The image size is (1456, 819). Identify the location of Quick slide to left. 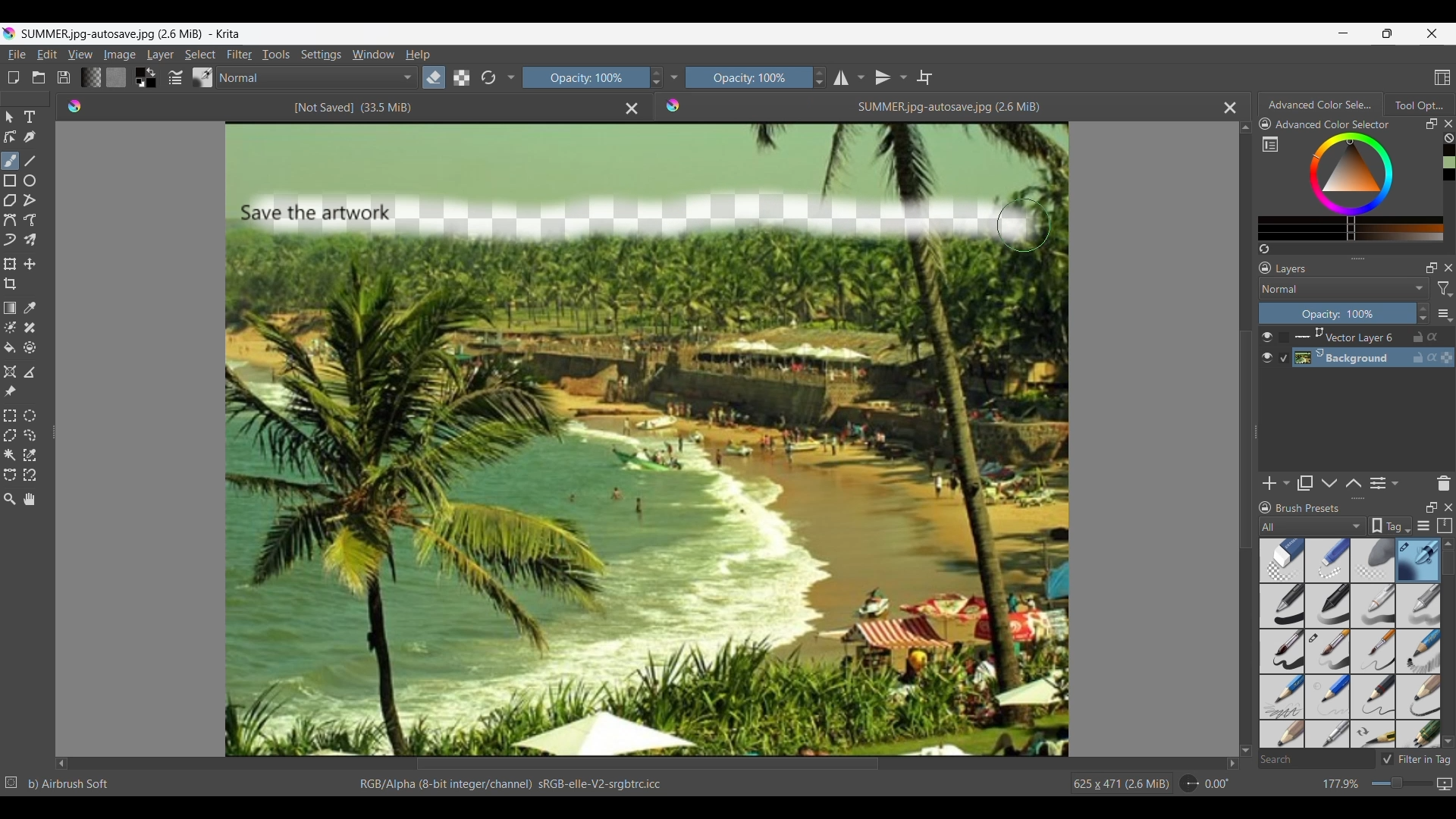
(61, 764).